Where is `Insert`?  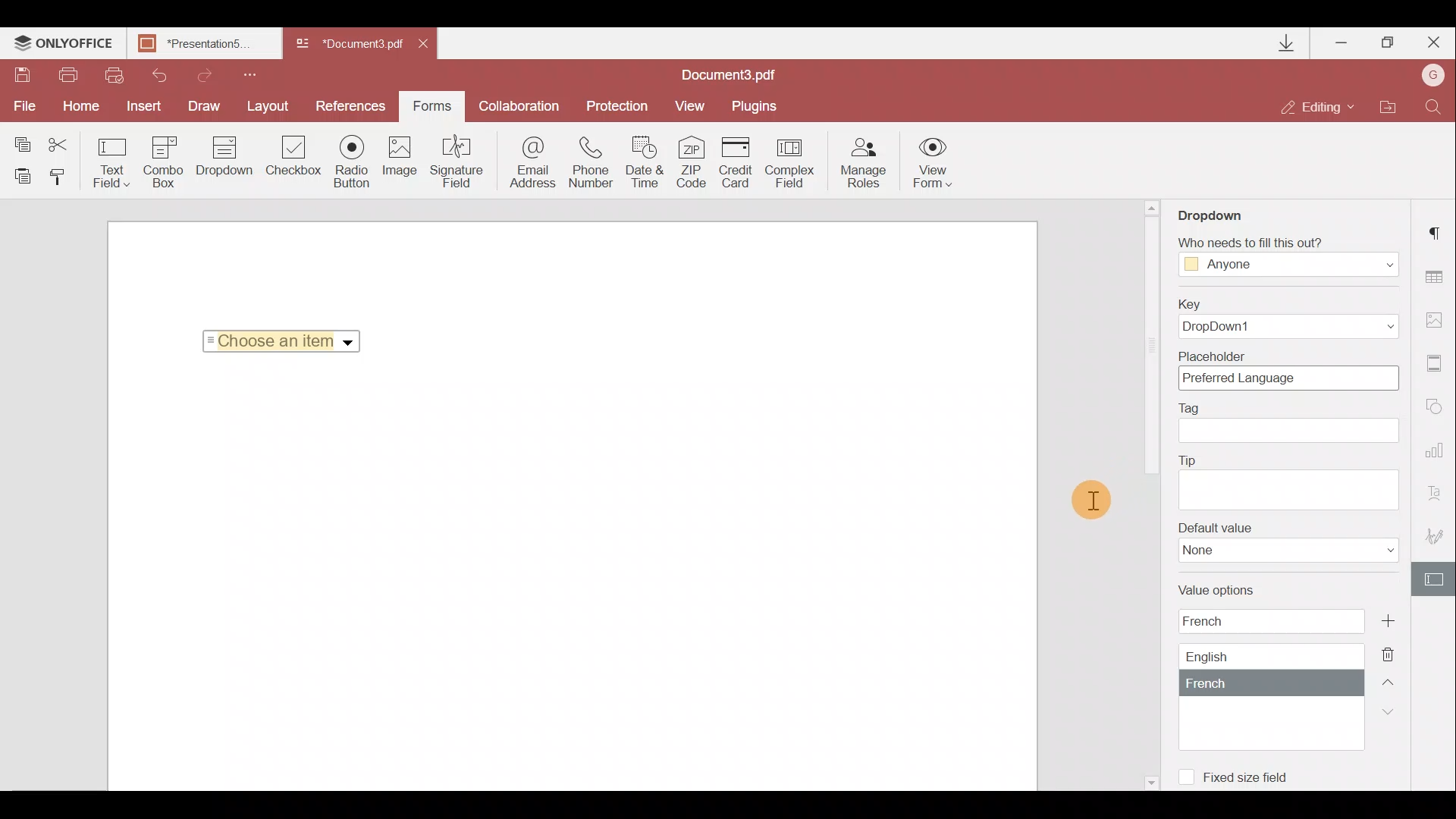
Insert is located at coordinates (140, 103).